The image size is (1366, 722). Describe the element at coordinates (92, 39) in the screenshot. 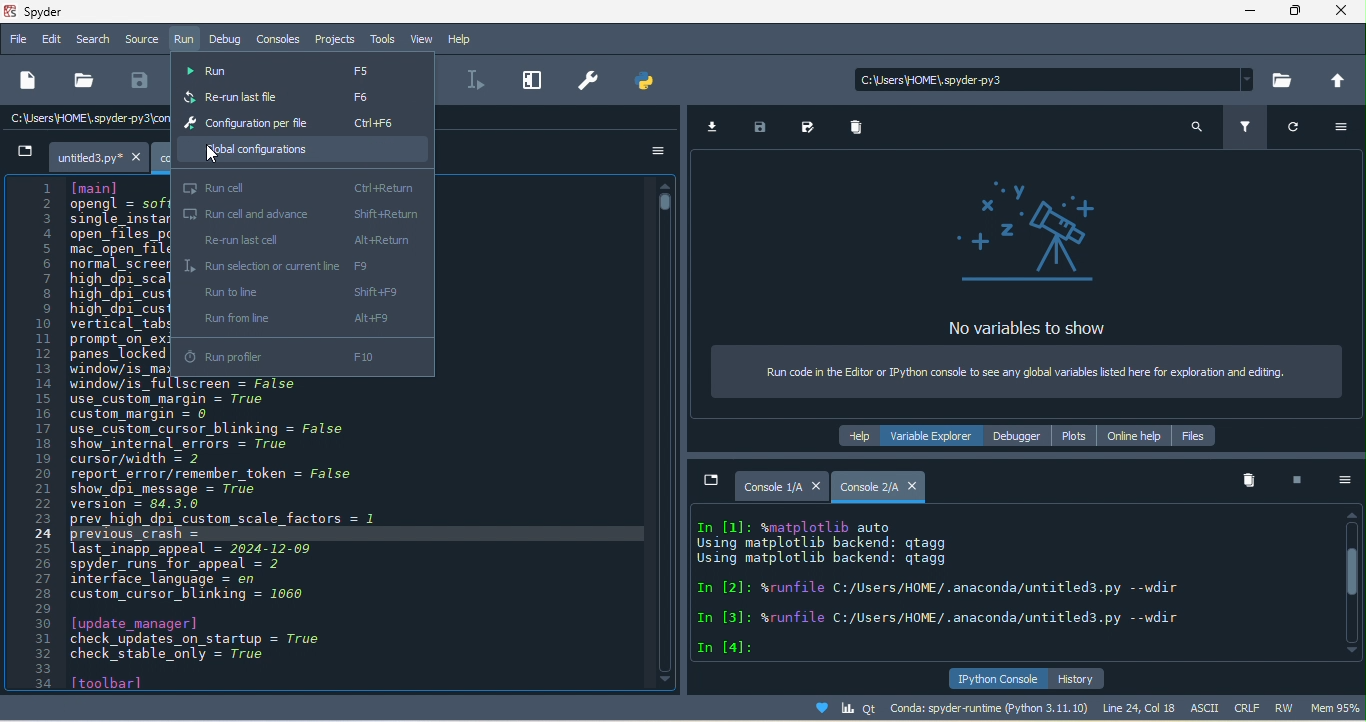

I see `` at that location.